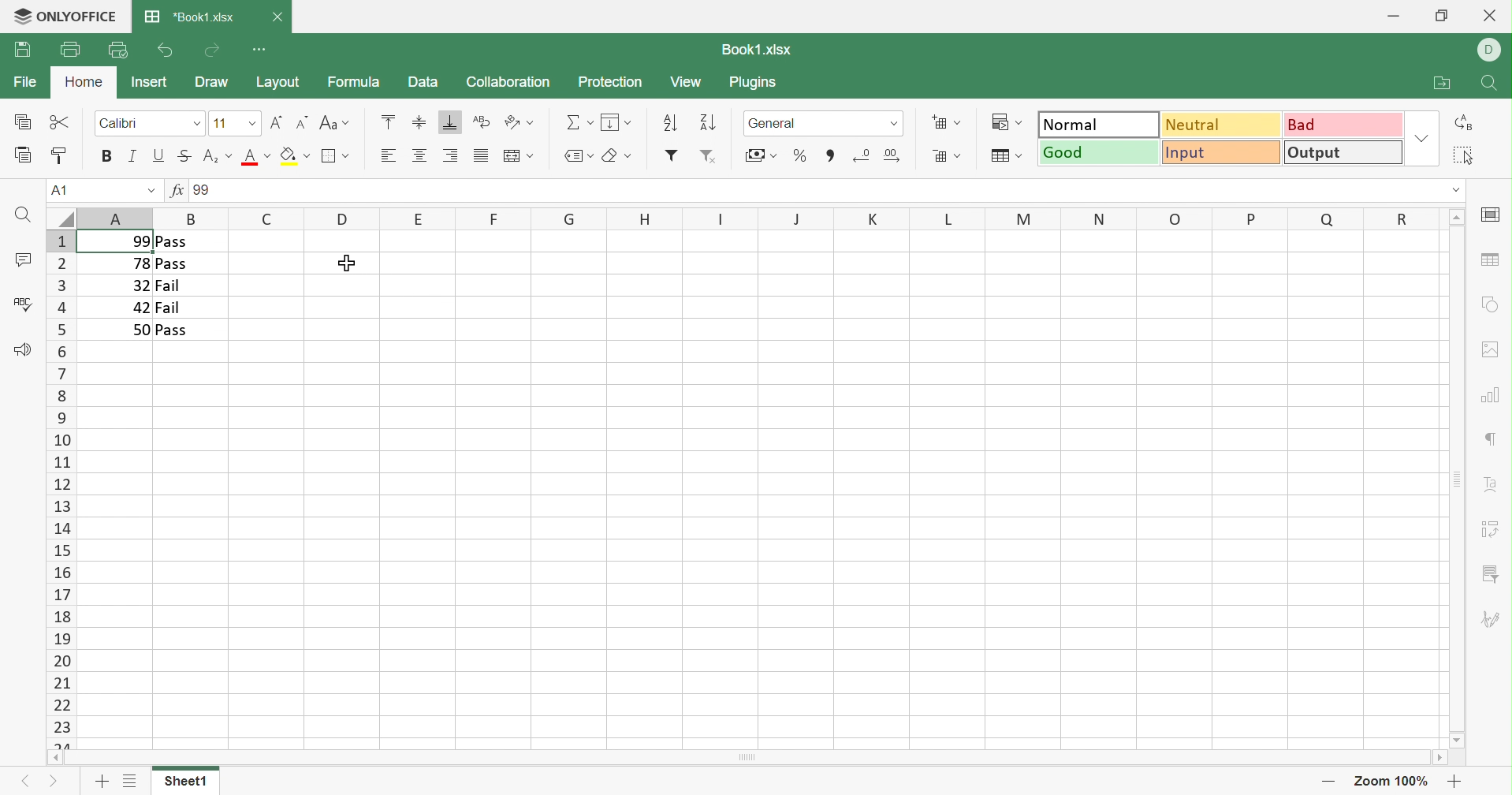 This screenshot has height=795, width=1512. Describe the element at coordinates (54, 759) in the screenshot. I see `Scroll left` at that location.